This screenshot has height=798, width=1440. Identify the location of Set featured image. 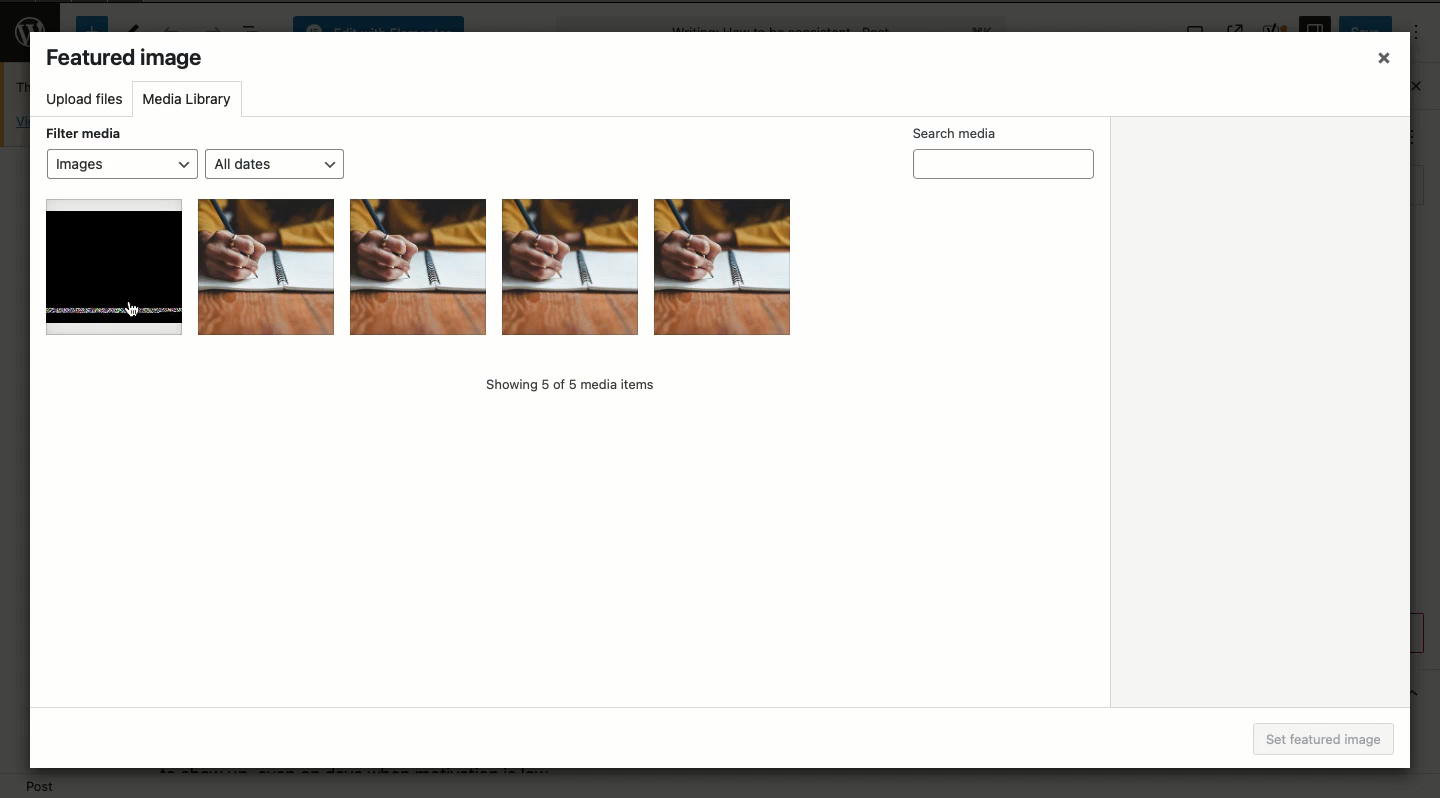
(1331, 740).